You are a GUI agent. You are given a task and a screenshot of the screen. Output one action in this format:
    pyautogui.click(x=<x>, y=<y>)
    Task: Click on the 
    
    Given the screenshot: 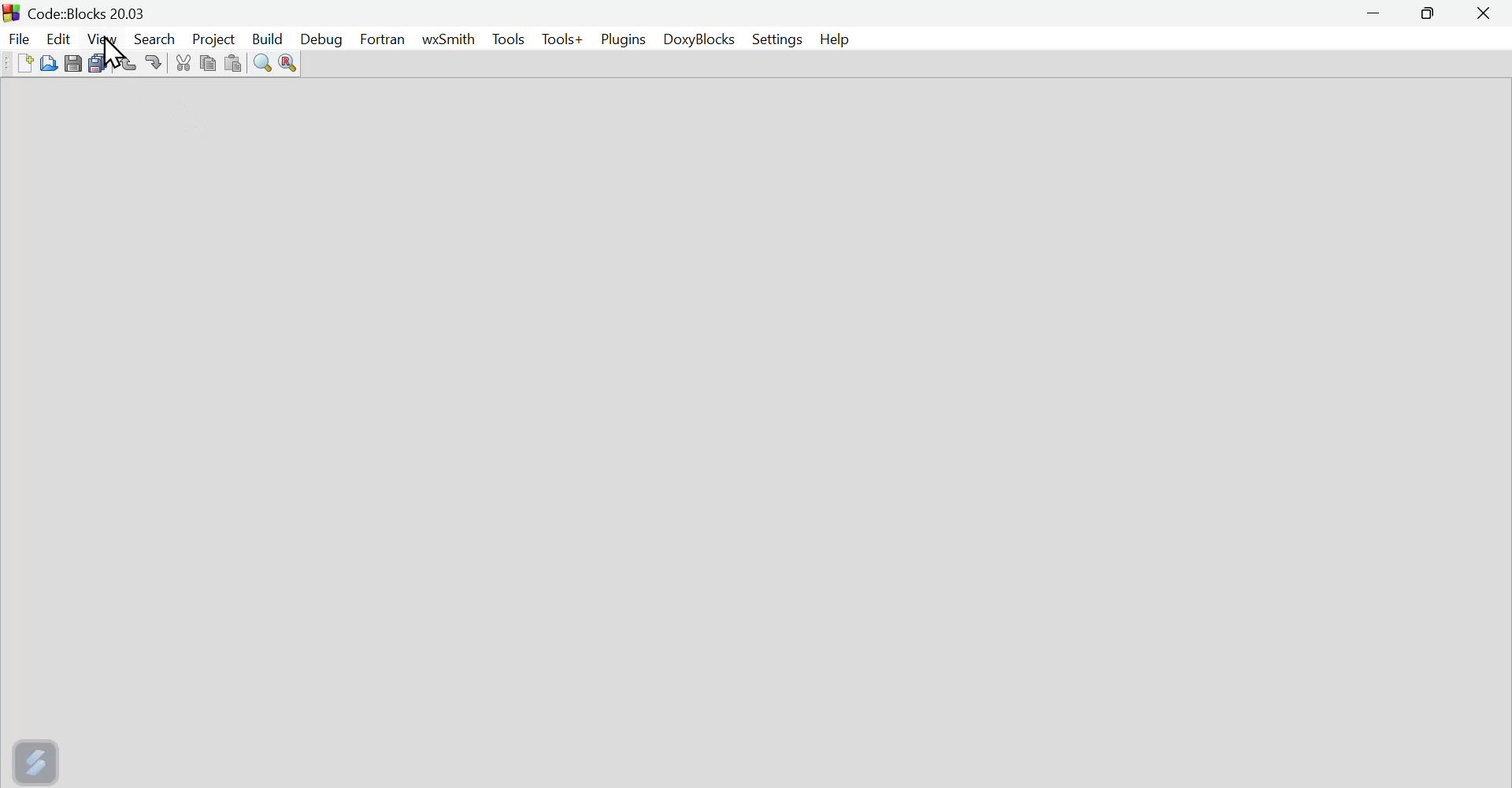 What is the action you would take?
    pyautogui.click(x=287, y=65)
    